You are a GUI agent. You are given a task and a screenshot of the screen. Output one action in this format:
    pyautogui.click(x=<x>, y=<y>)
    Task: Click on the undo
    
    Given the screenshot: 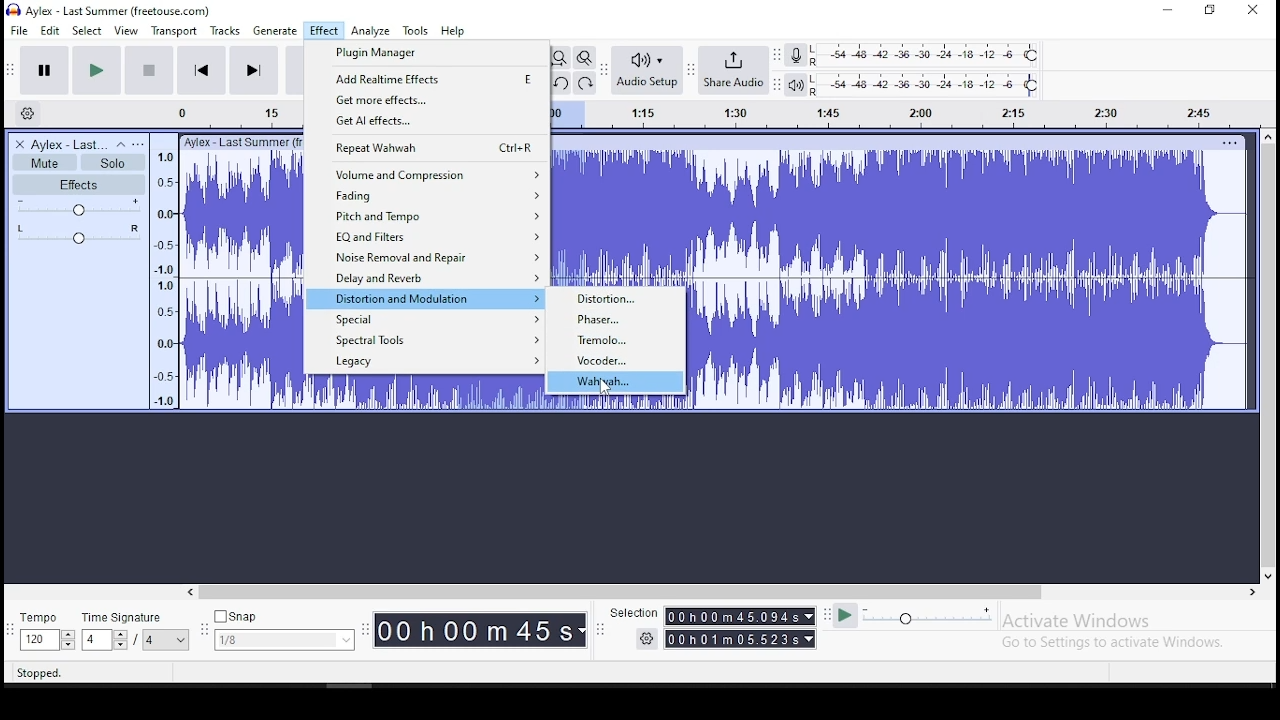 What is the action you would take?
    pyautogui.click(x=562, y=83)
    